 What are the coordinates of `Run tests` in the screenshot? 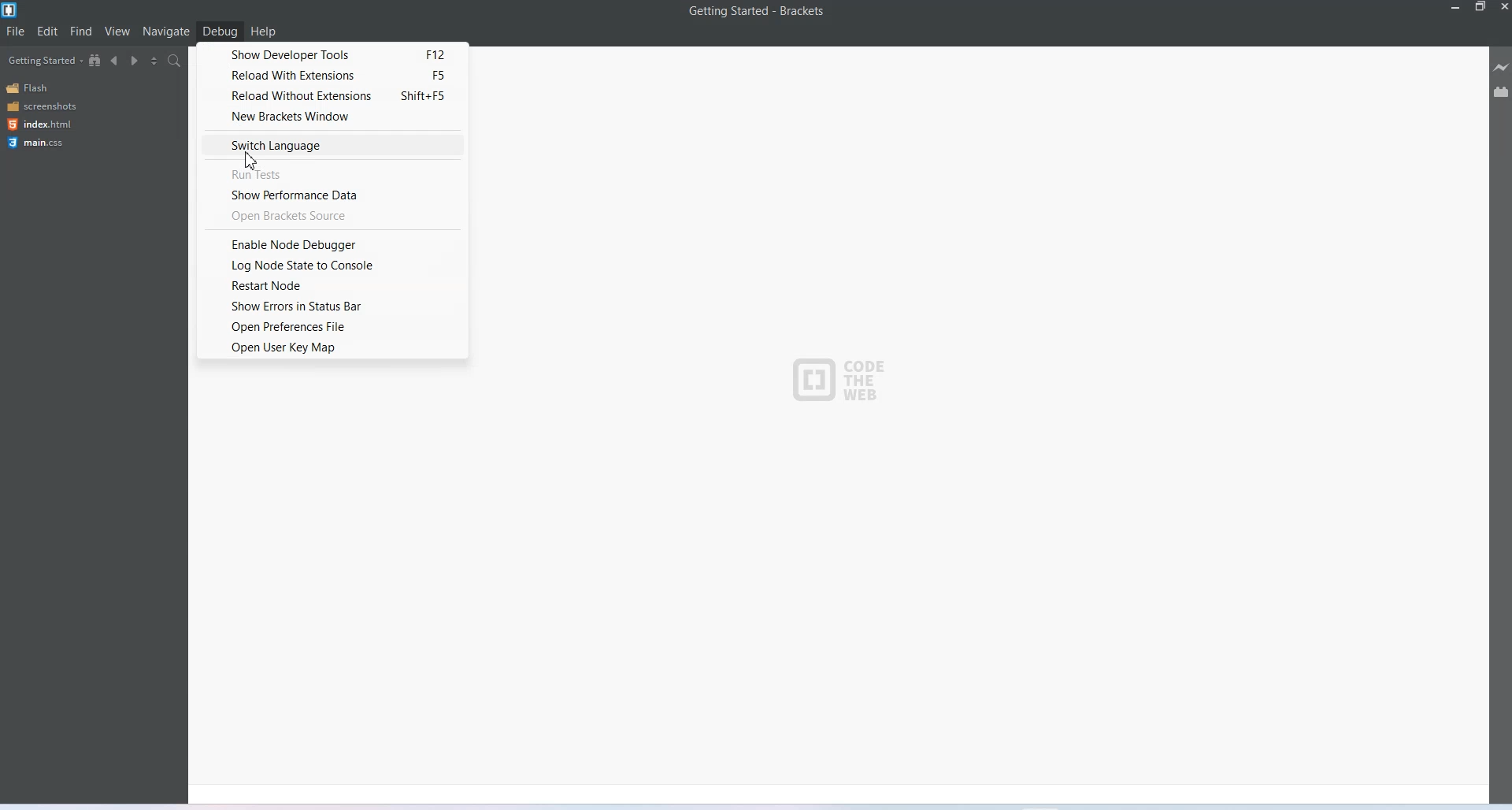 It's located at (334, 173).